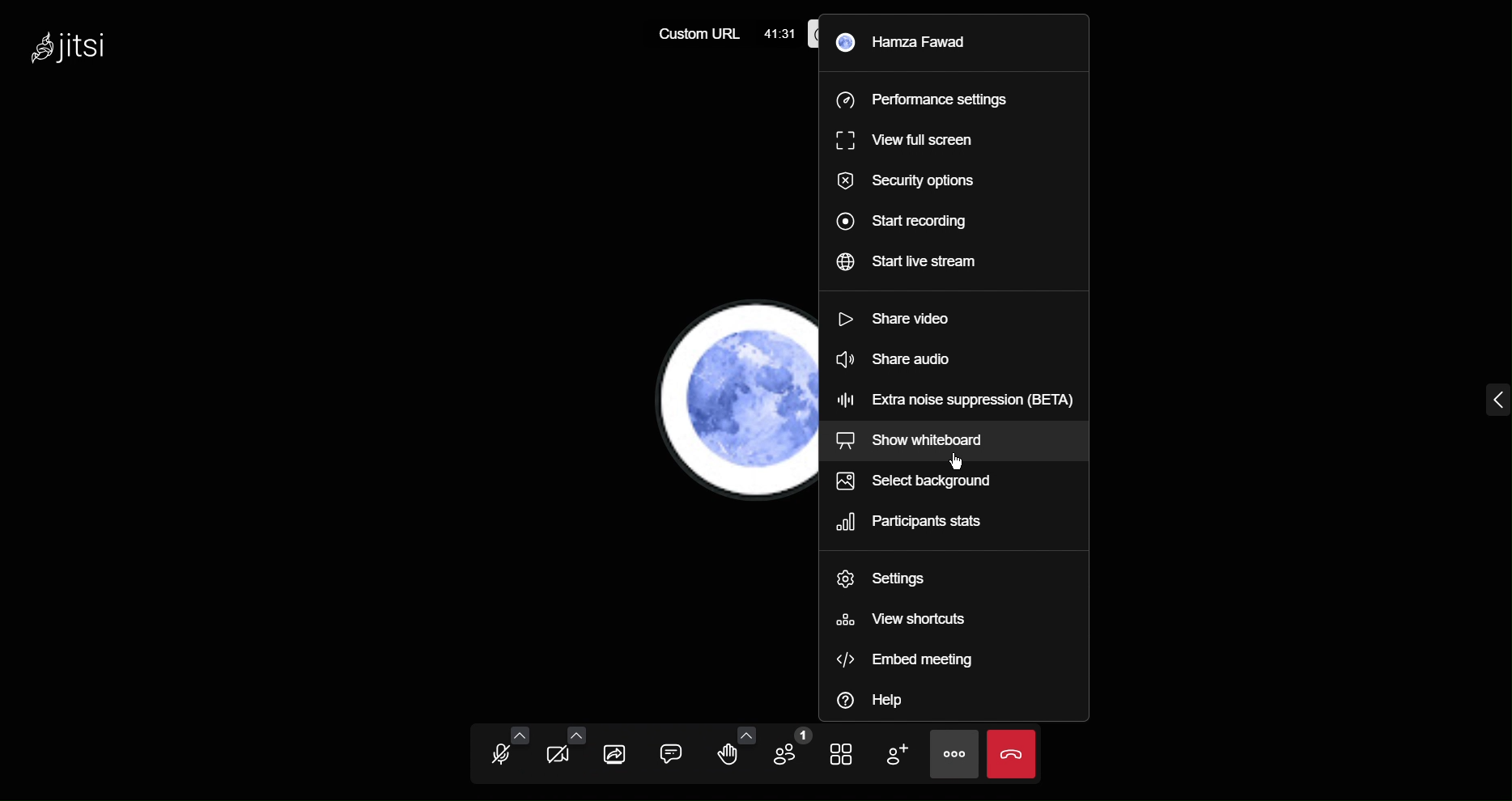 Image resolution: width=1512 pixels, height=801 pixels. I want to click on 41:31, so click(779, 30).